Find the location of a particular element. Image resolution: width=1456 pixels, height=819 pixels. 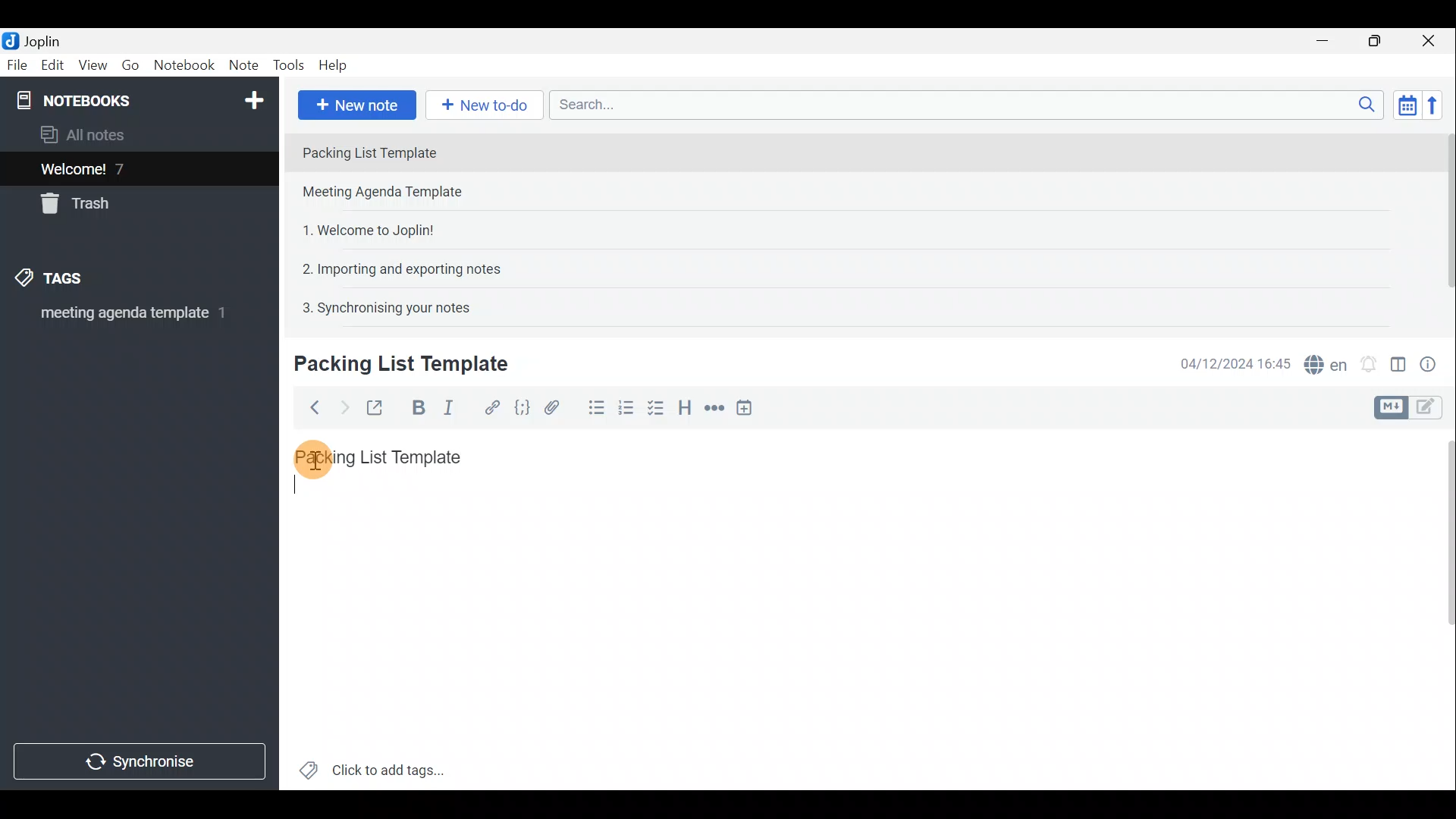

Help is located at coordinates (335, 67).